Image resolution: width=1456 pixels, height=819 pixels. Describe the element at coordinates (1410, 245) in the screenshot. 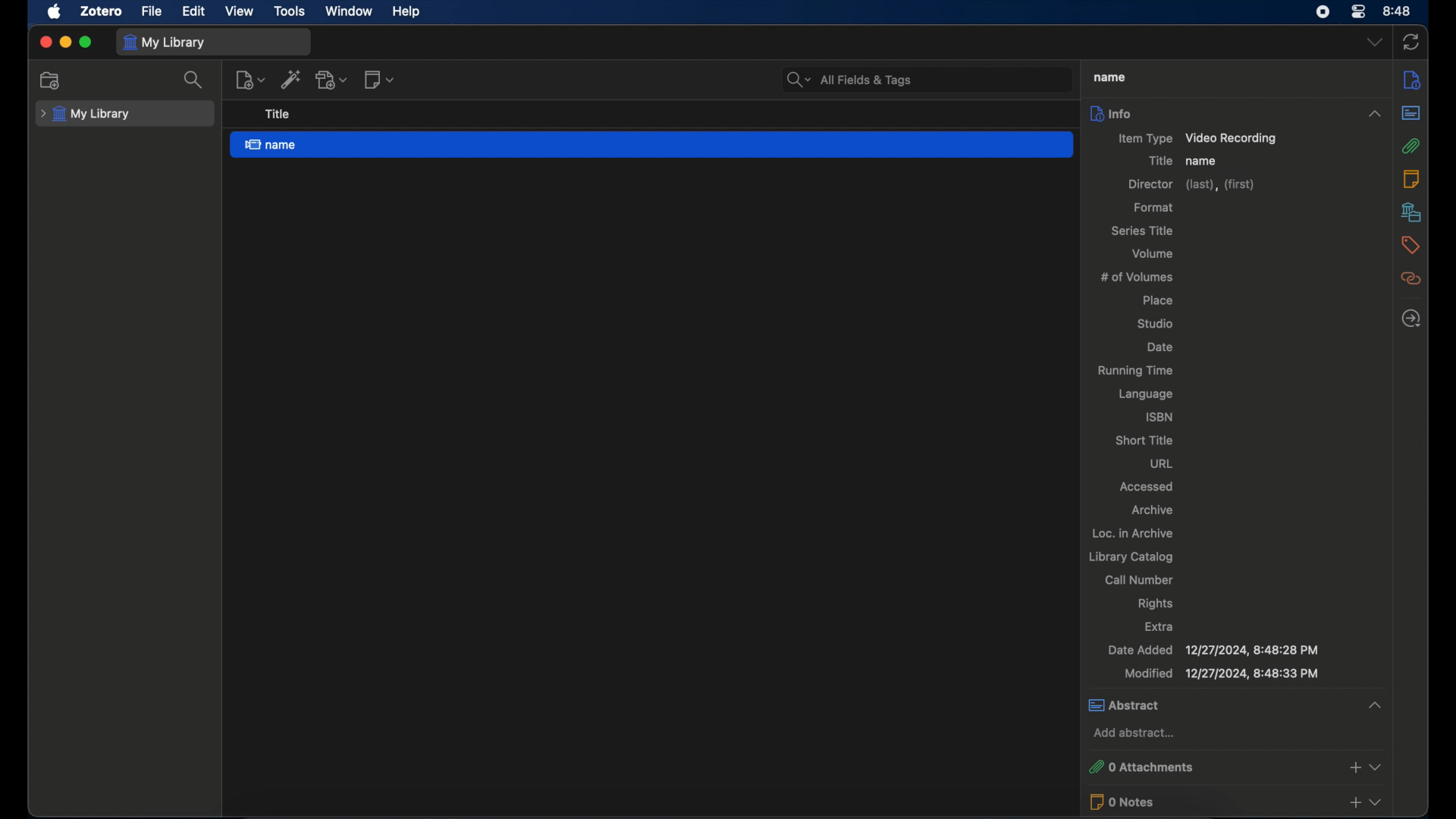

I see `tags` at that location.